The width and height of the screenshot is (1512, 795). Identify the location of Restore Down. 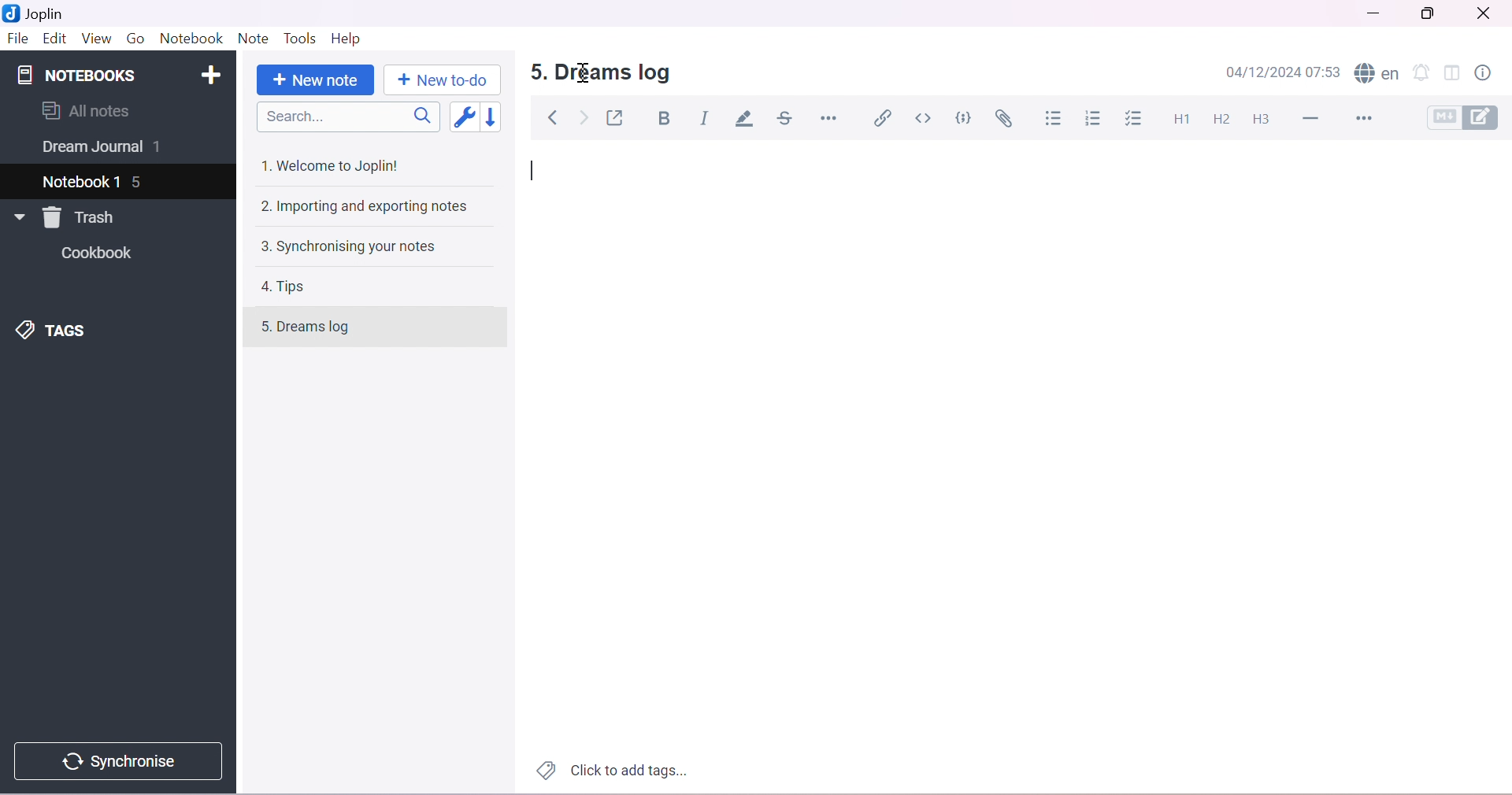
(1434, 13).